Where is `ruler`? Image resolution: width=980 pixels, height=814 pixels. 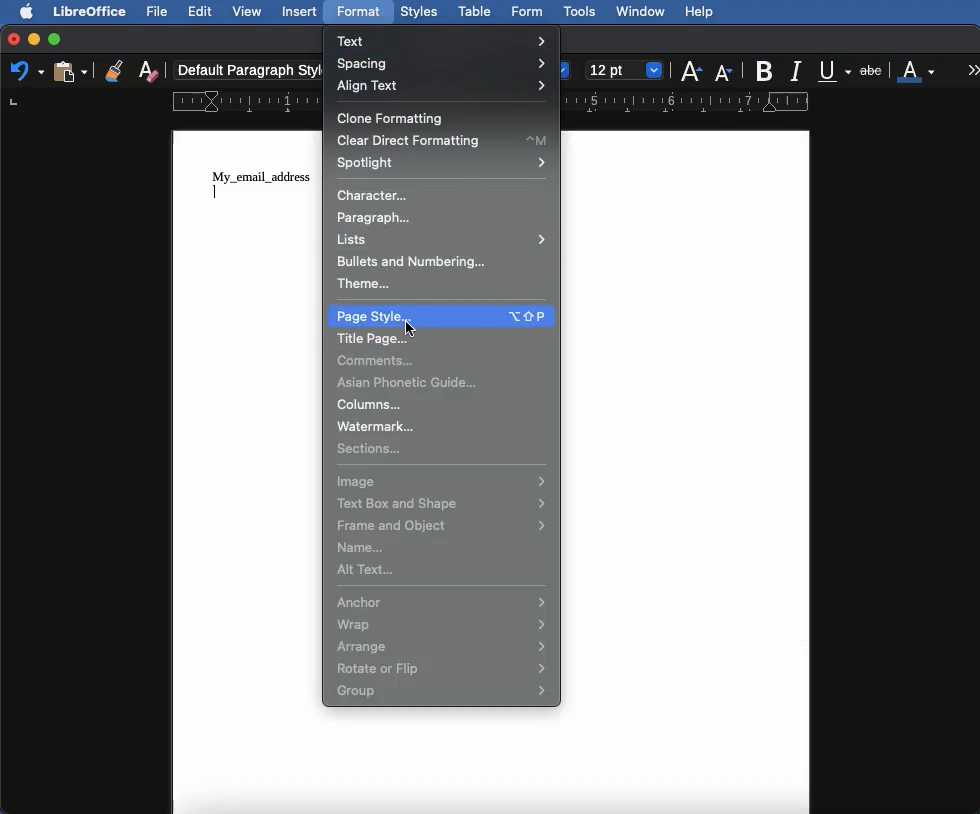 ruler is located at coordinates (243, 102).